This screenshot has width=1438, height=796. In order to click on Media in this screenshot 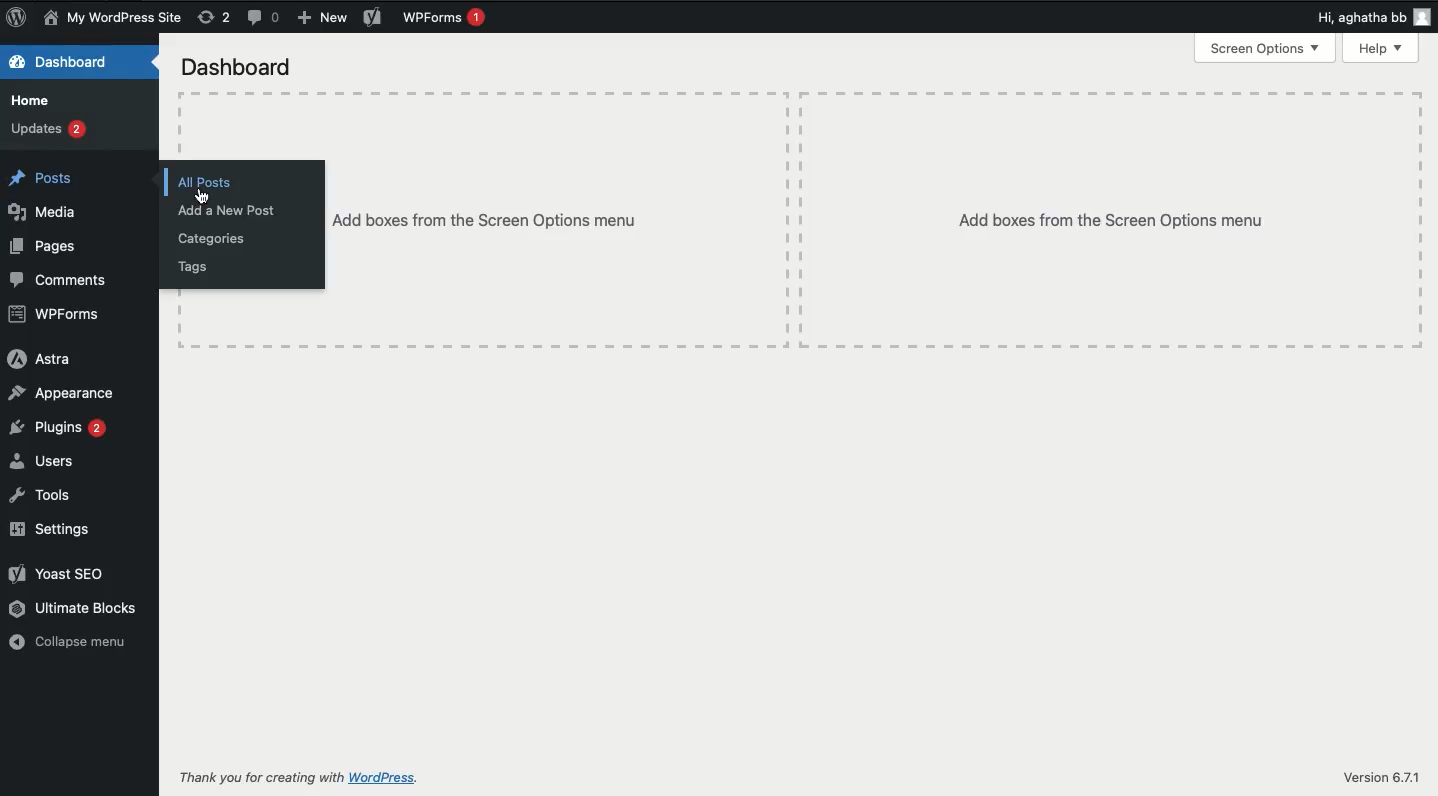, I will do `click(43, 213)`.